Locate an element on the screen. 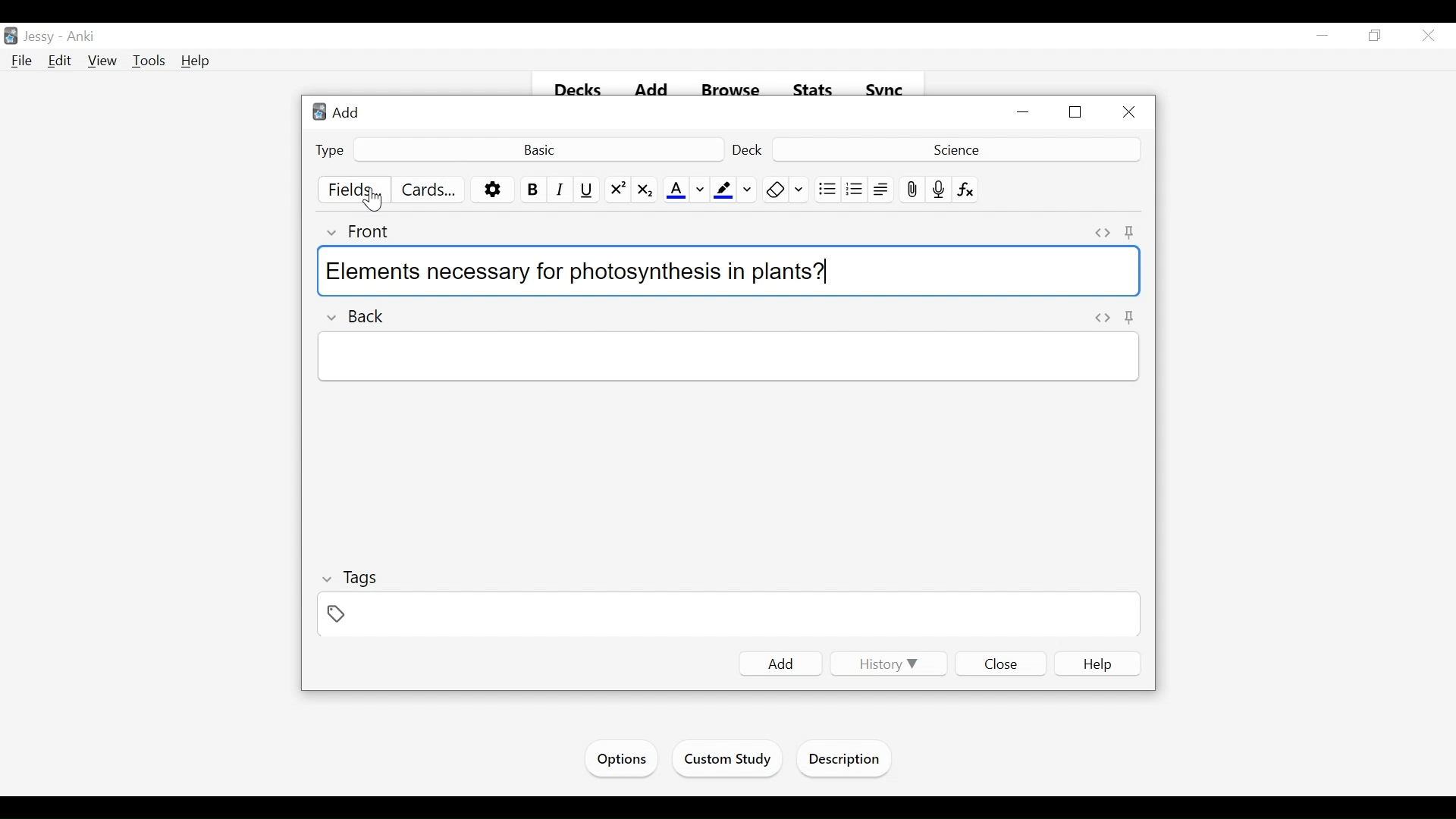 This screenshot has width=1456, height=819. Upload pictures/images/ files is located at coordinates (911, 190).